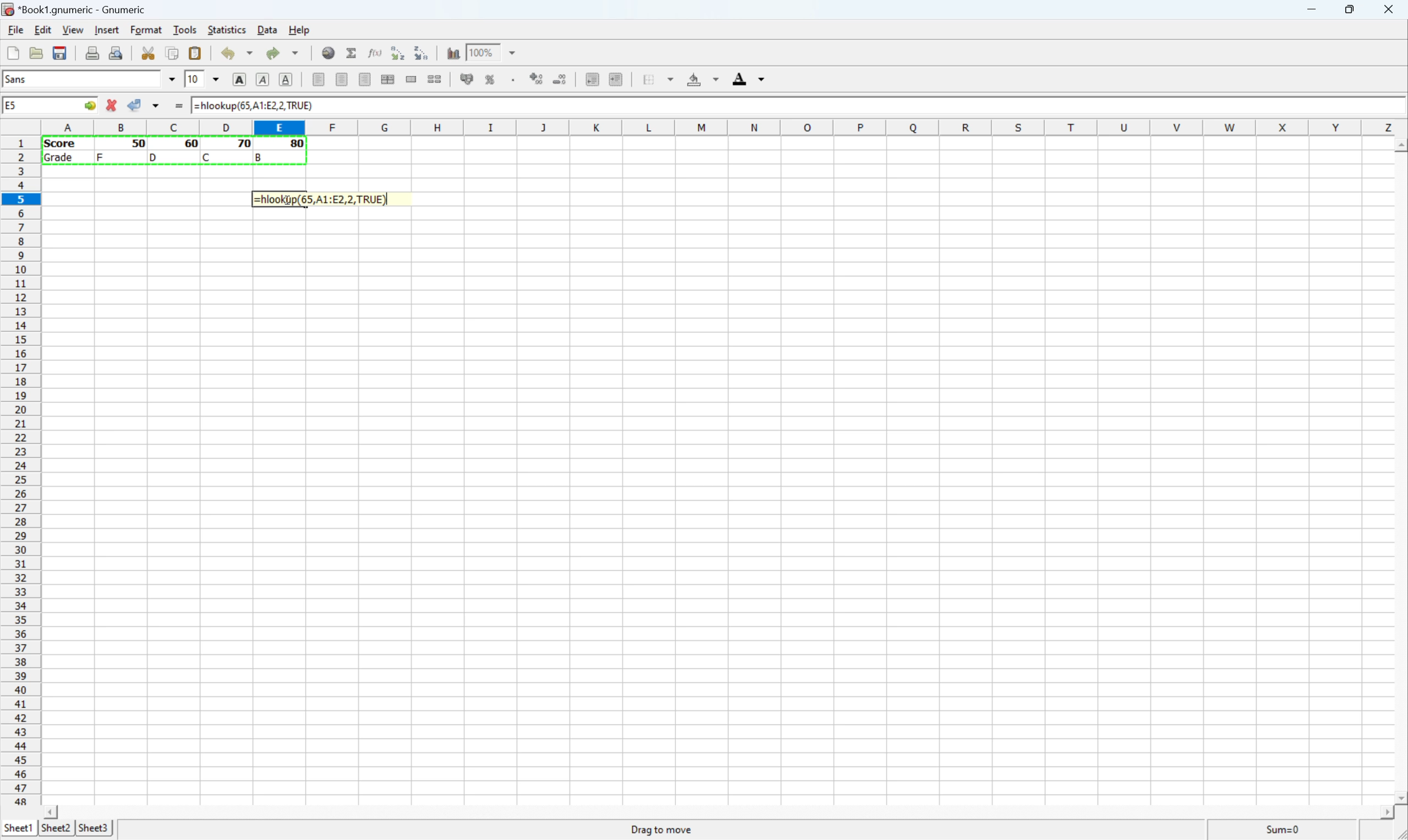  I want to click on Cut the selection, so click(147, 50).